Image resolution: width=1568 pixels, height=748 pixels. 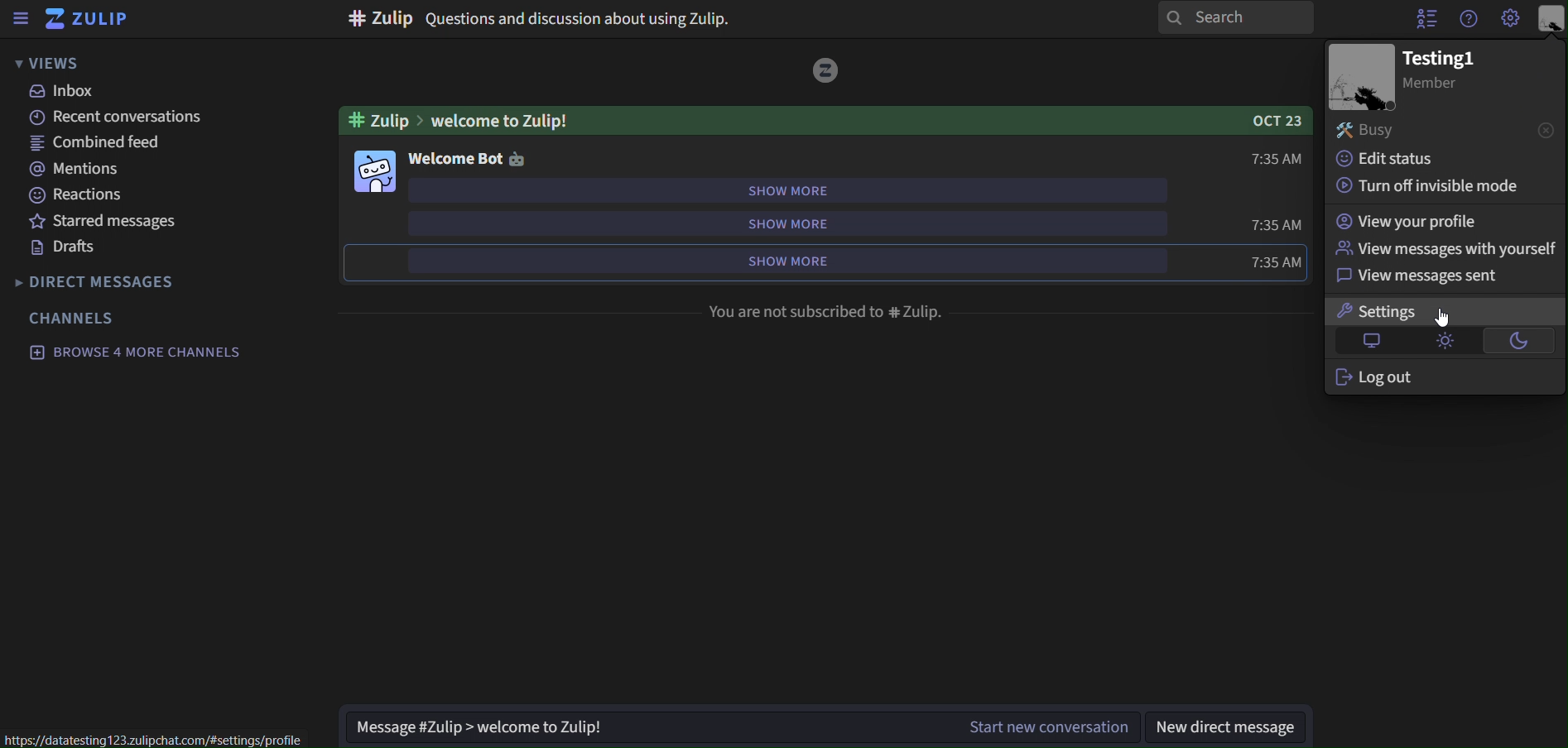 What do you see at coordinates (1407, 133) in the screenshot?
I see `busy` at bounding box center [1407, 133].